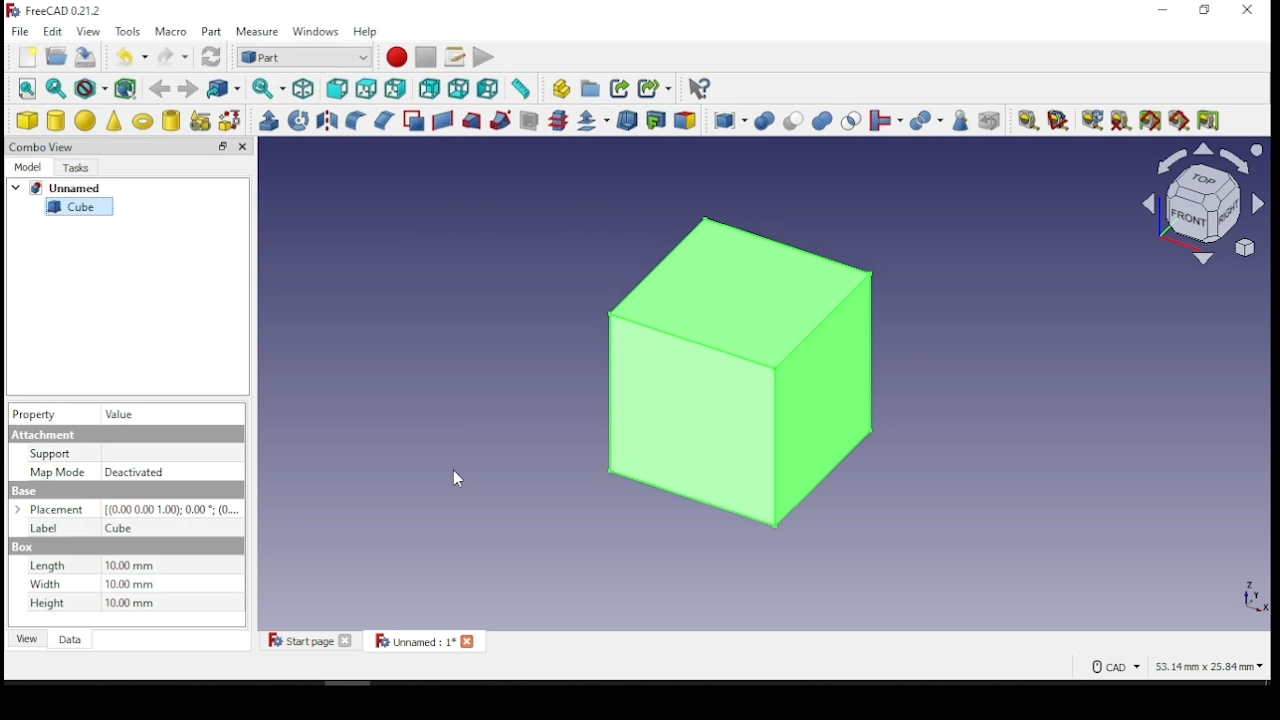  I want to click on bounding box, so click(128, 90).